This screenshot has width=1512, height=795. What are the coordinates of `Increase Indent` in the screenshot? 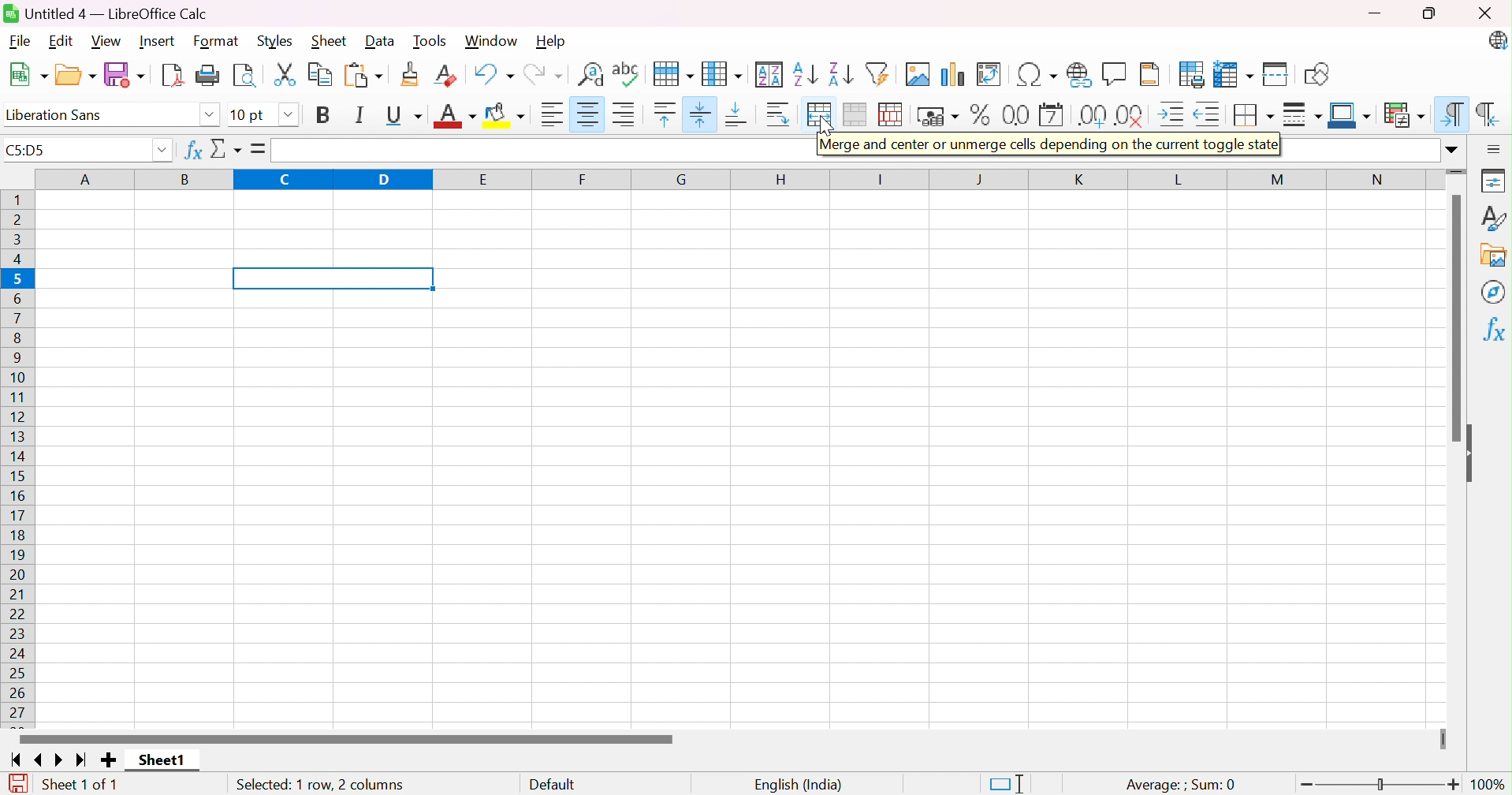 It's located at (1175, 113).